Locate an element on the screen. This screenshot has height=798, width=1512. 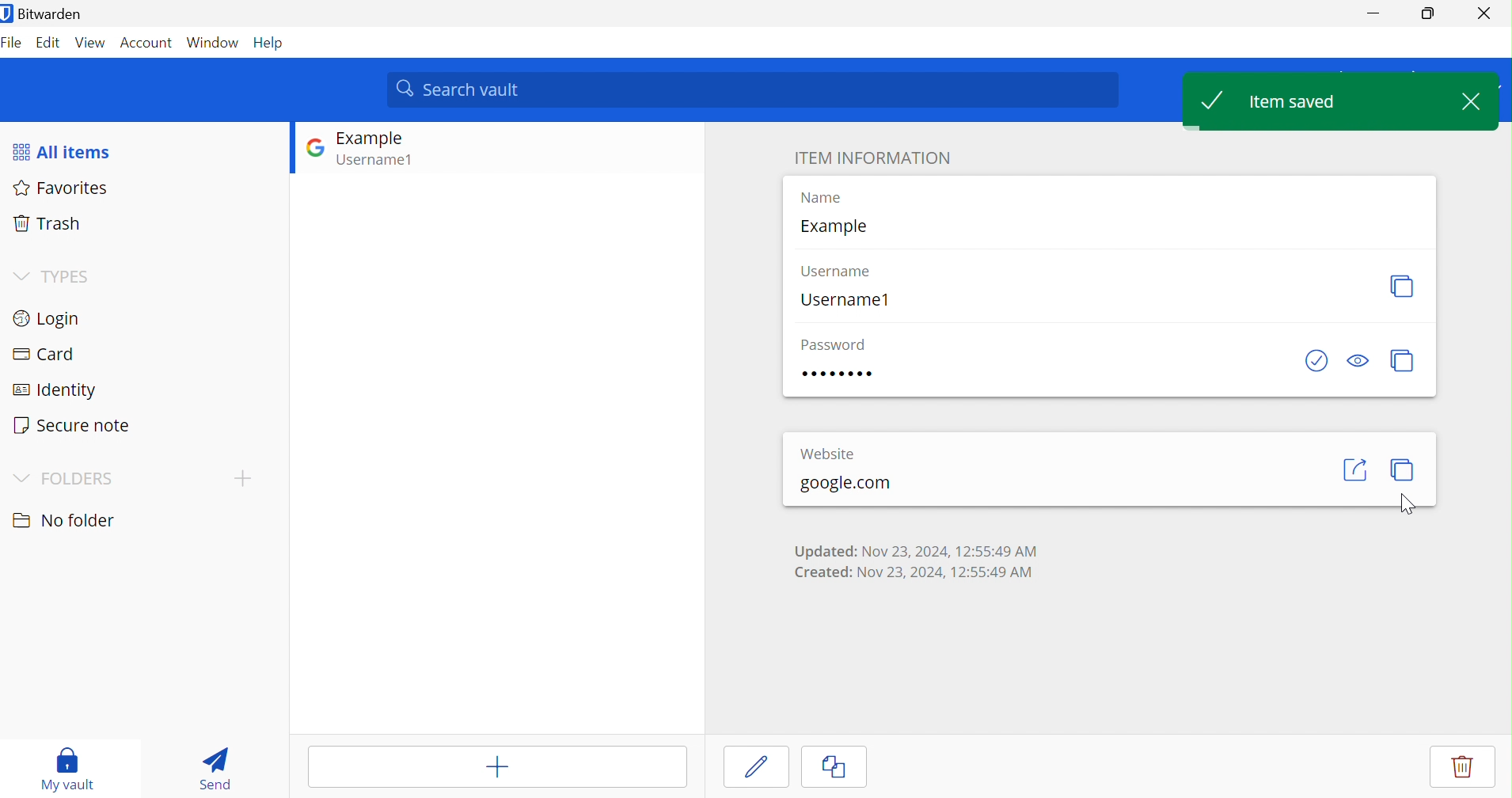
Delete is located at coordinates (1463, 768).